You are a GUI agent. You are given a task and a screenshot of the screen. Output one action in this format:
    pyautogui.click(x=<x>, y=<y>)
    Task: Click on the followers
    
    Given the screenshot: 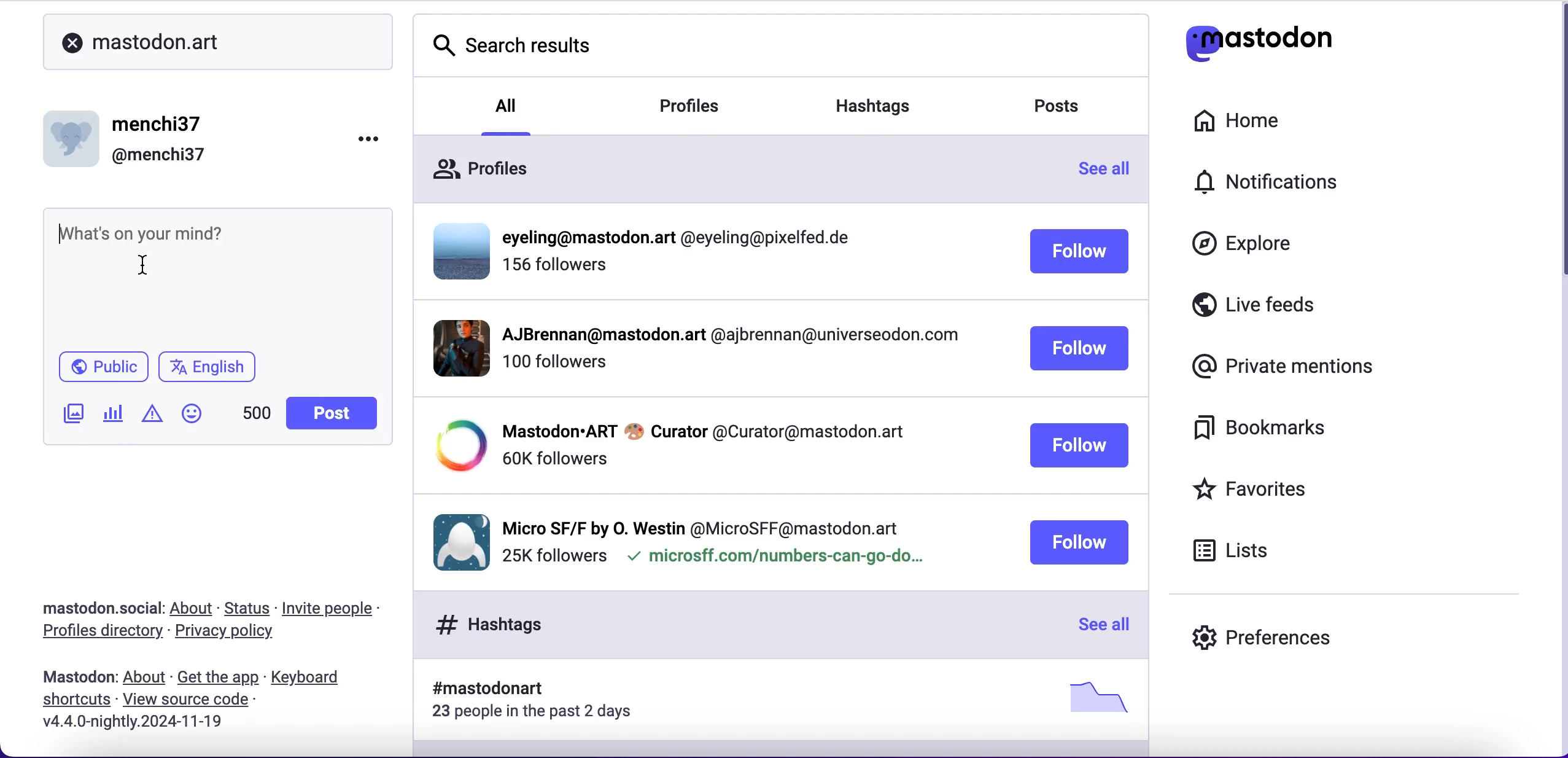 What is the action you would take?
    pyautogui.click(x=553, y=557)
    